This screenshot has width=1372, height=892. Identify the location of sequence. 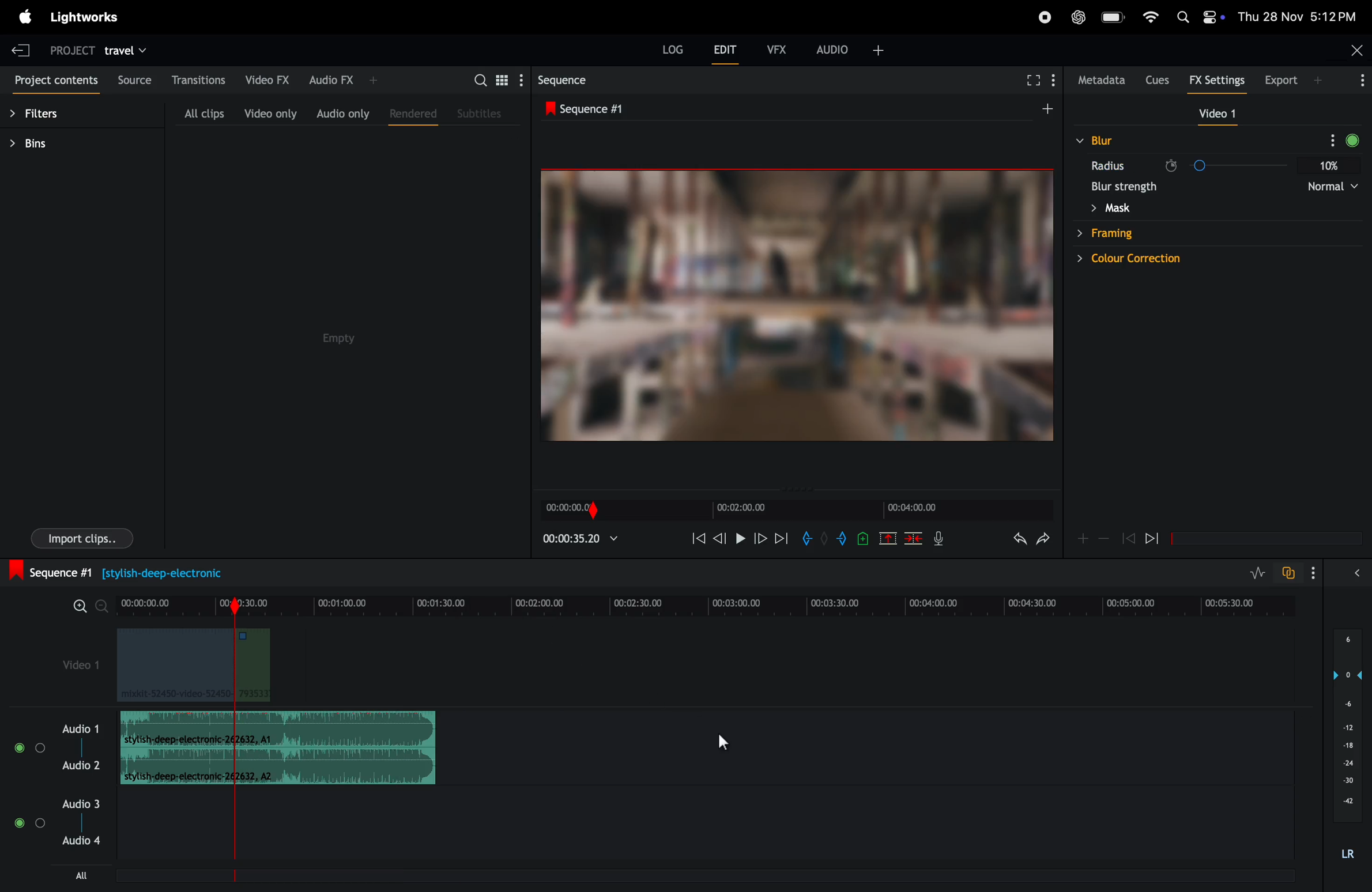
(576, 80).